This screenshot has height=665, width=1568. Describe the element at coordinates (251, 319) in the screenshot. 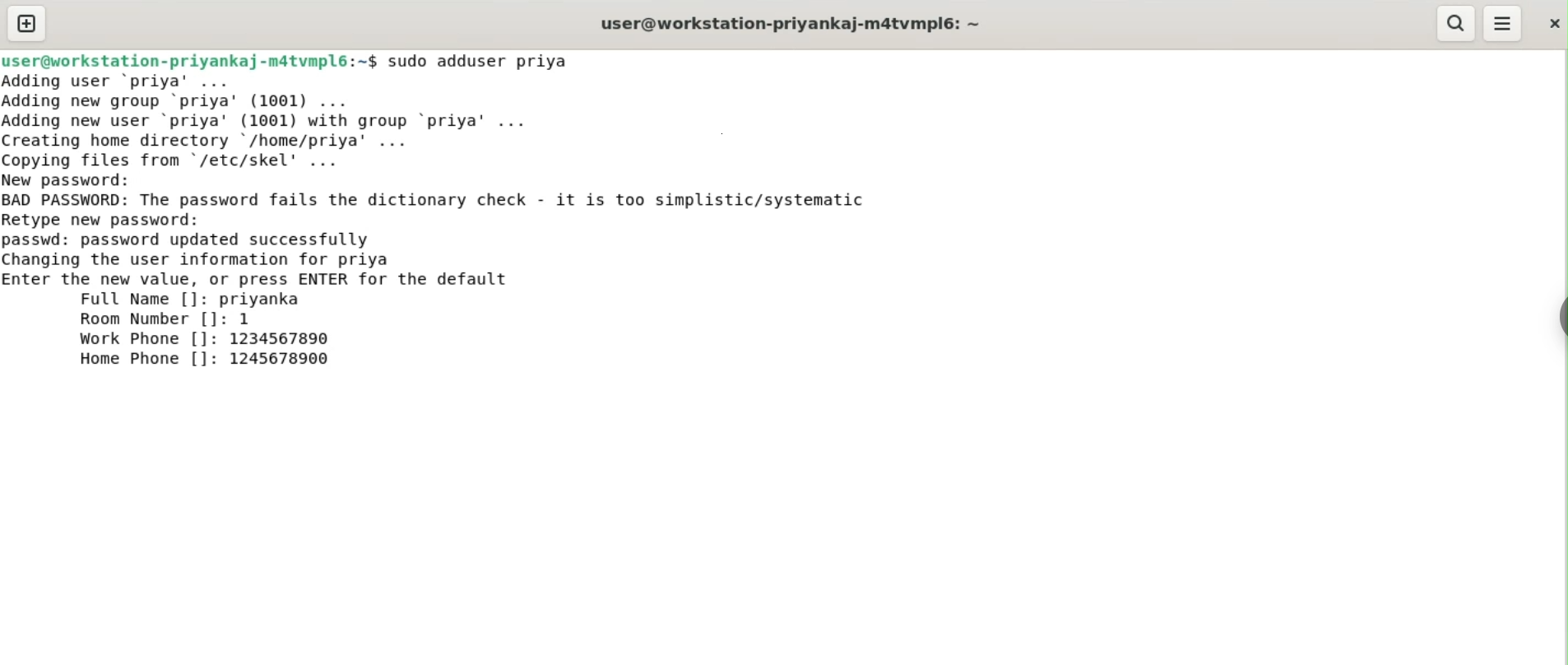

I see `1` at that location.